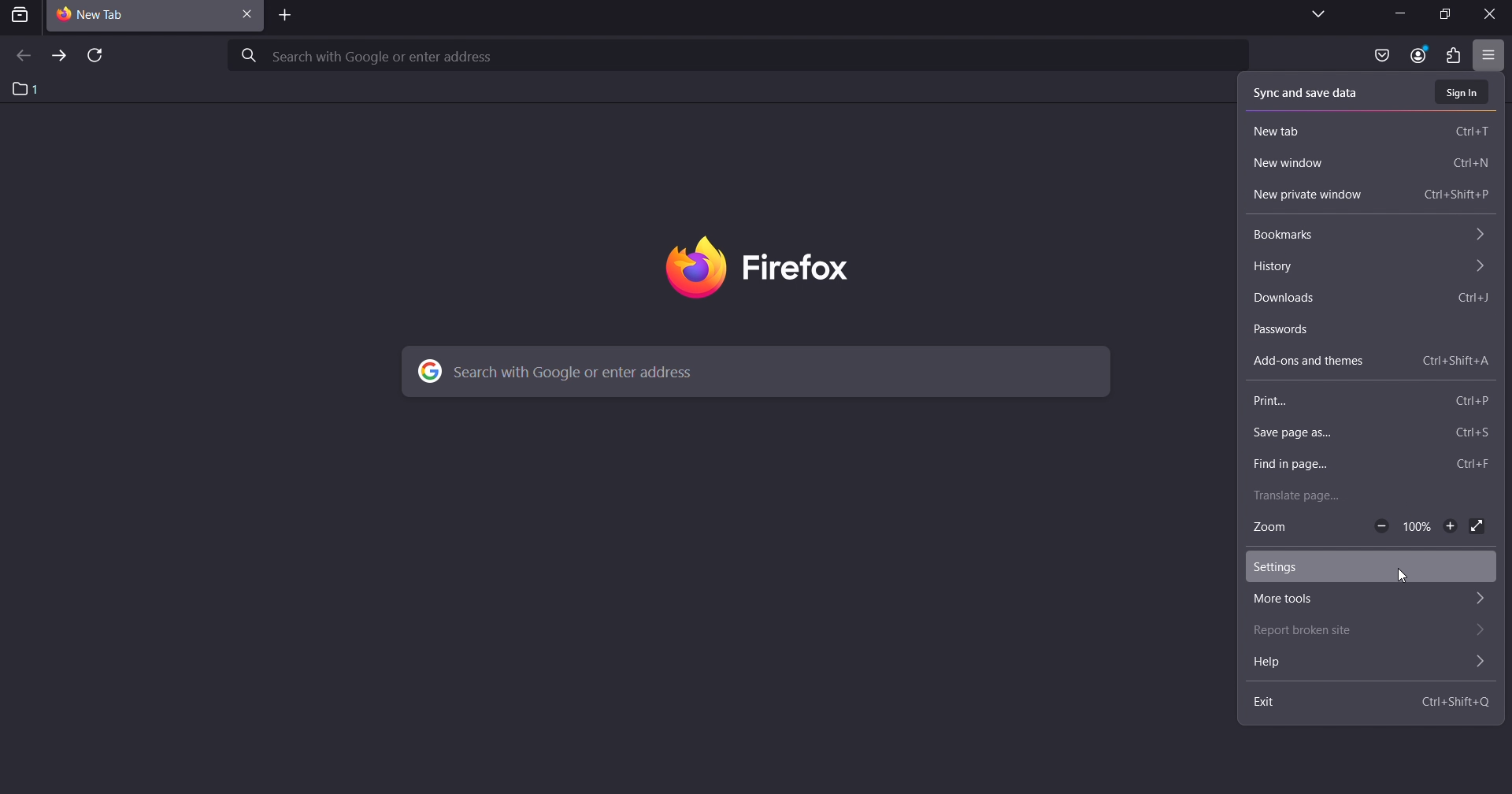 The width and height of the screenshot is (1512, 794). What do you see at coordinates (110, 16) in the screenshot?
I see `current tab` at bounding box center [110, 16].